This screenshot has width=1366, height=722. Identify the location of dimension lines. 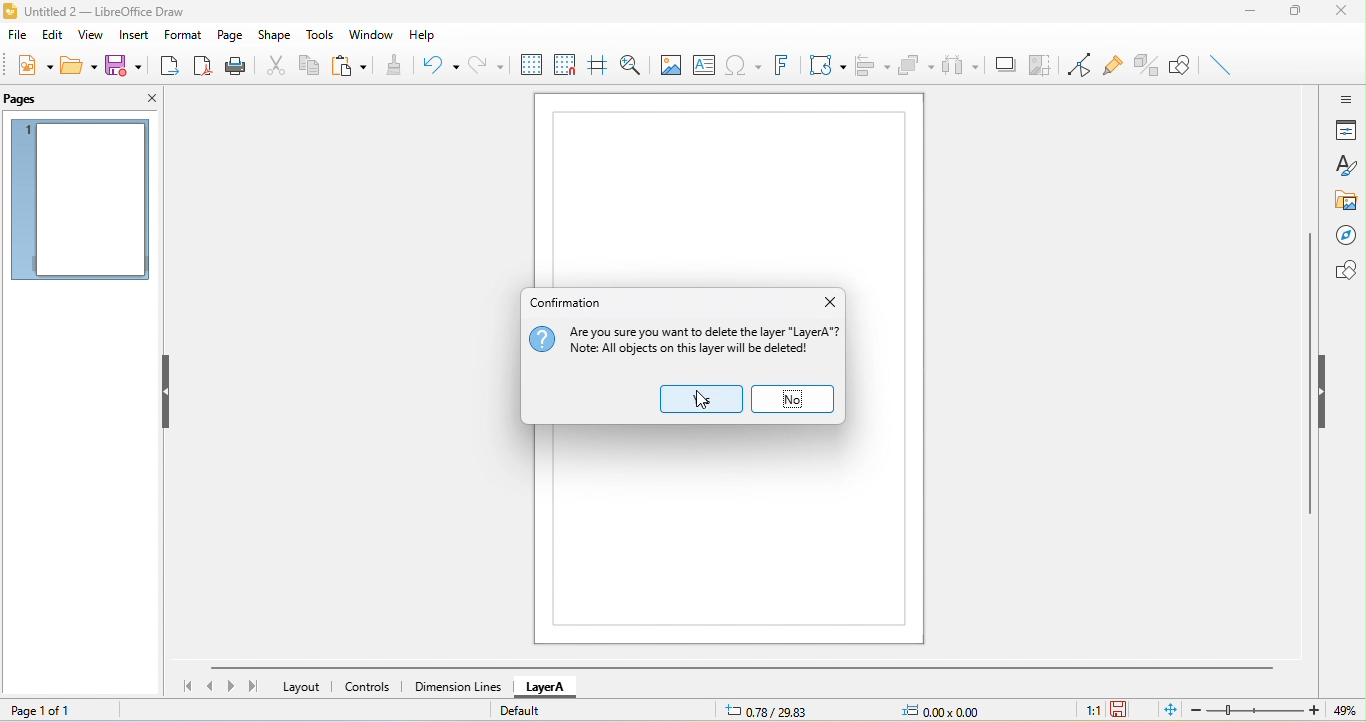
(462, 687).